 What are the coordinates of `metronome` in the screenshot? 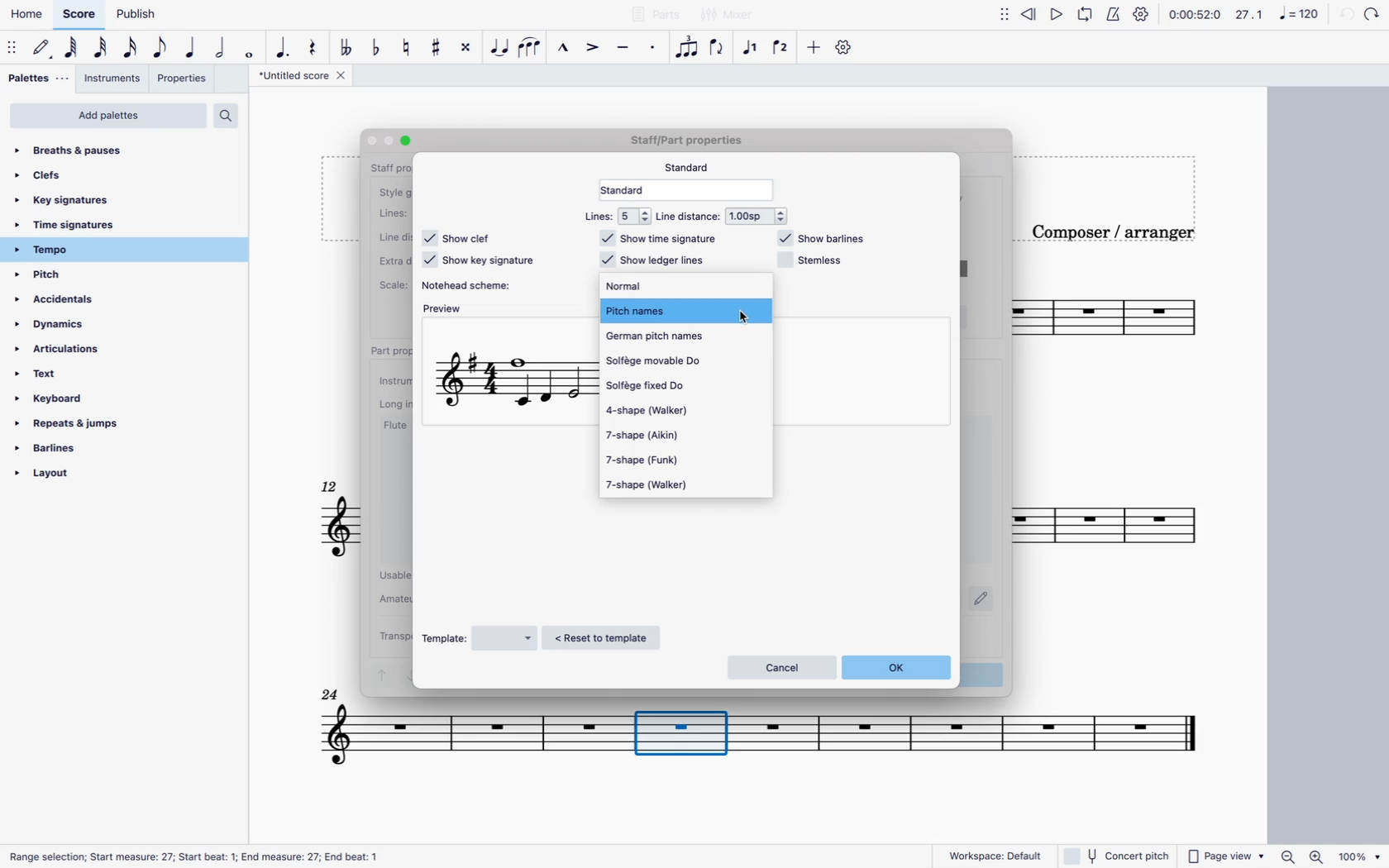 It's located at (1117, 13).